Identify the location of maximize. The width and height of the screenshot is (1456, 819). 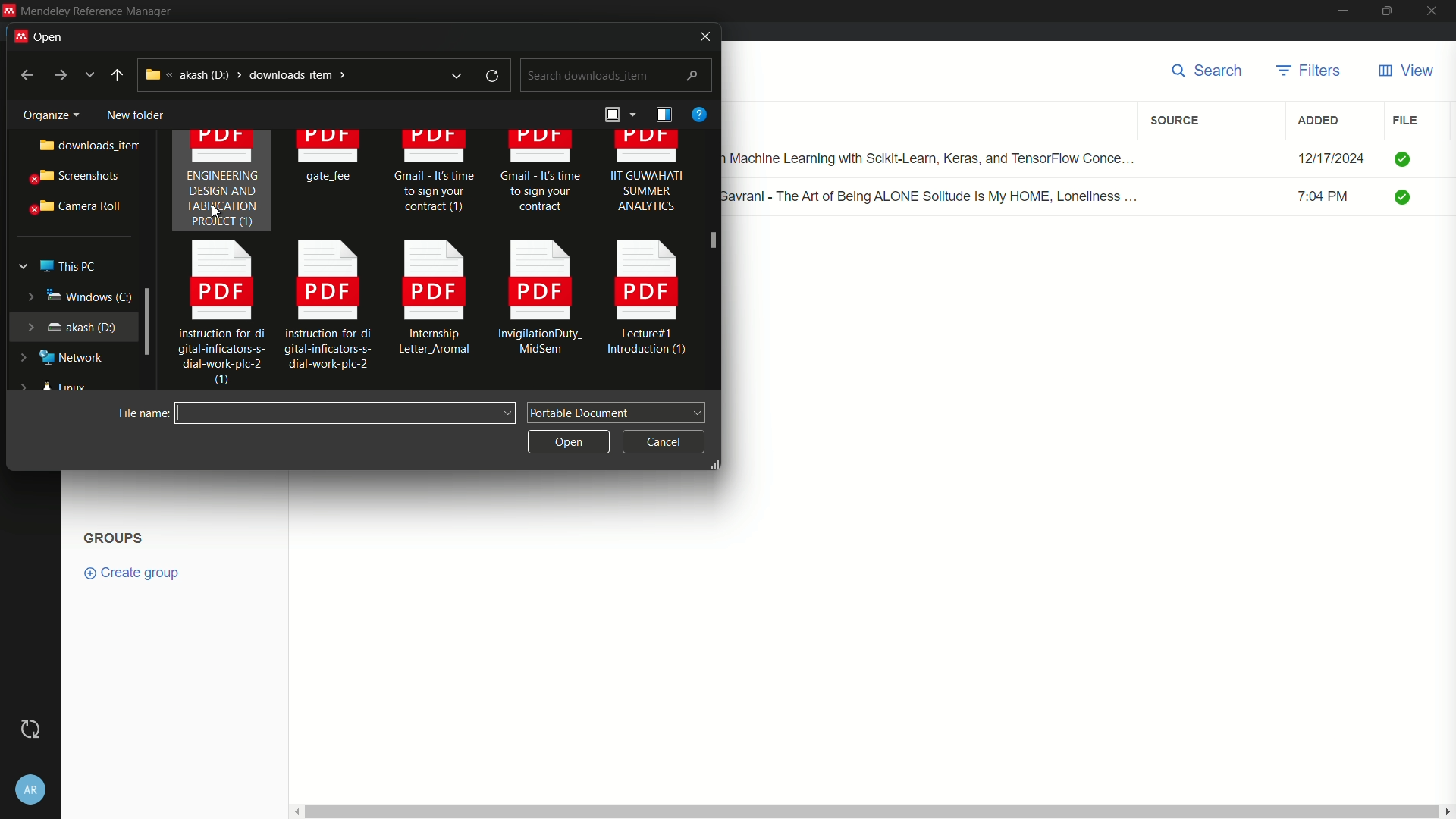
(1389, 11).